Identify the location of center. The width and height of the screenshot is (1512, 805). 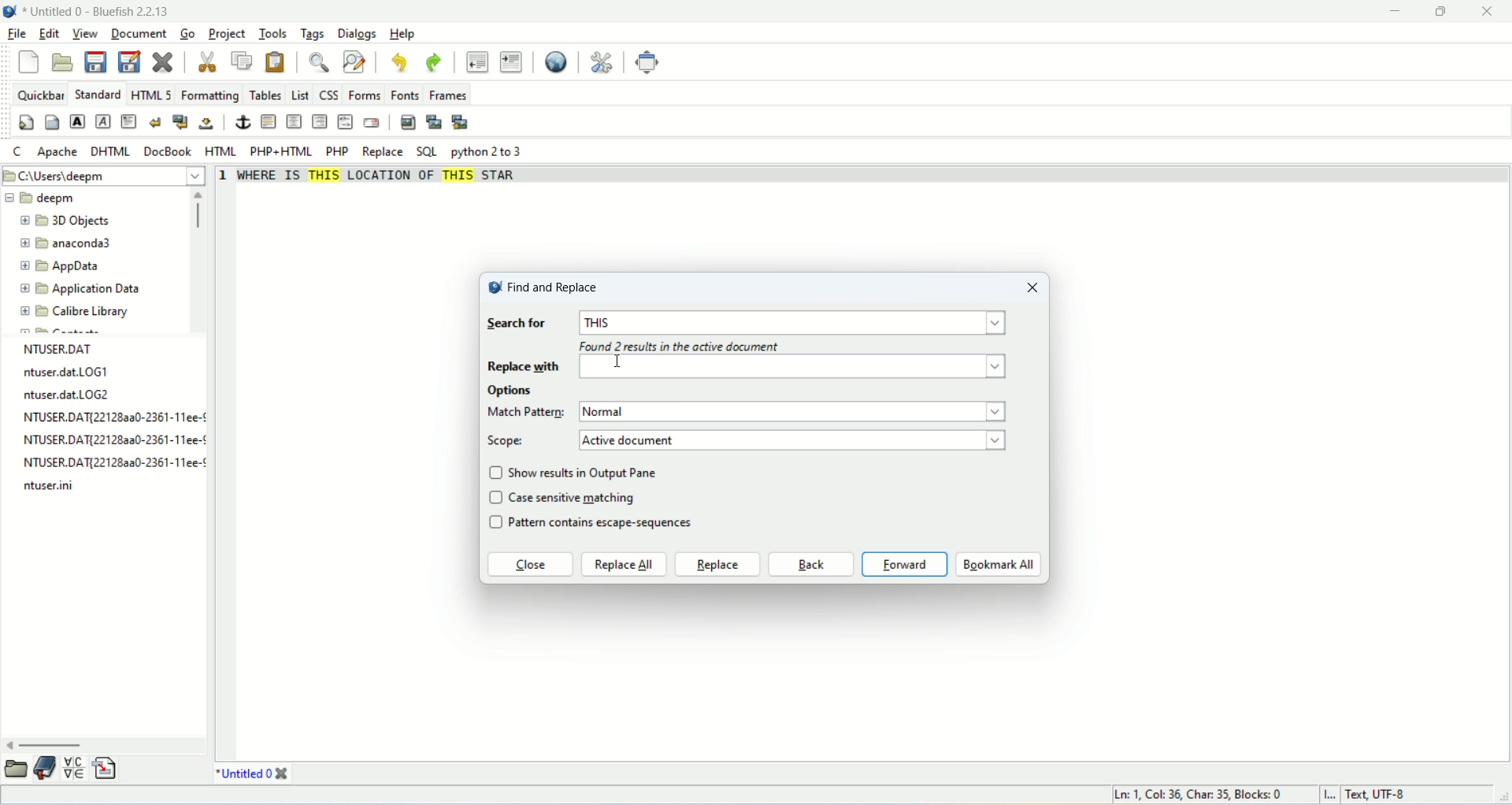
(294, 122).